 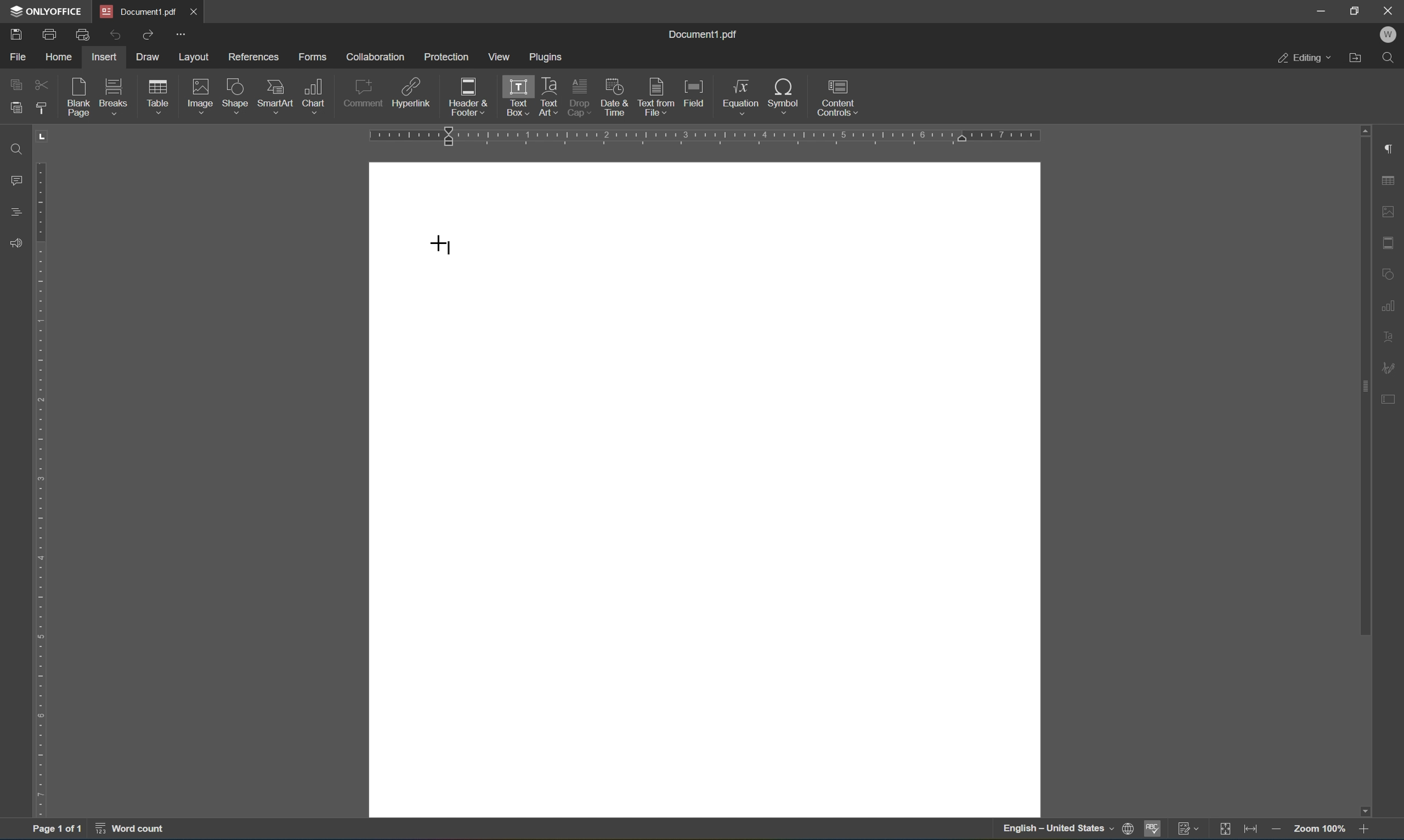 What do you see at coordinates (82, 98) in the screenshot?
I see `blank page` at bounding box center [82, 98].